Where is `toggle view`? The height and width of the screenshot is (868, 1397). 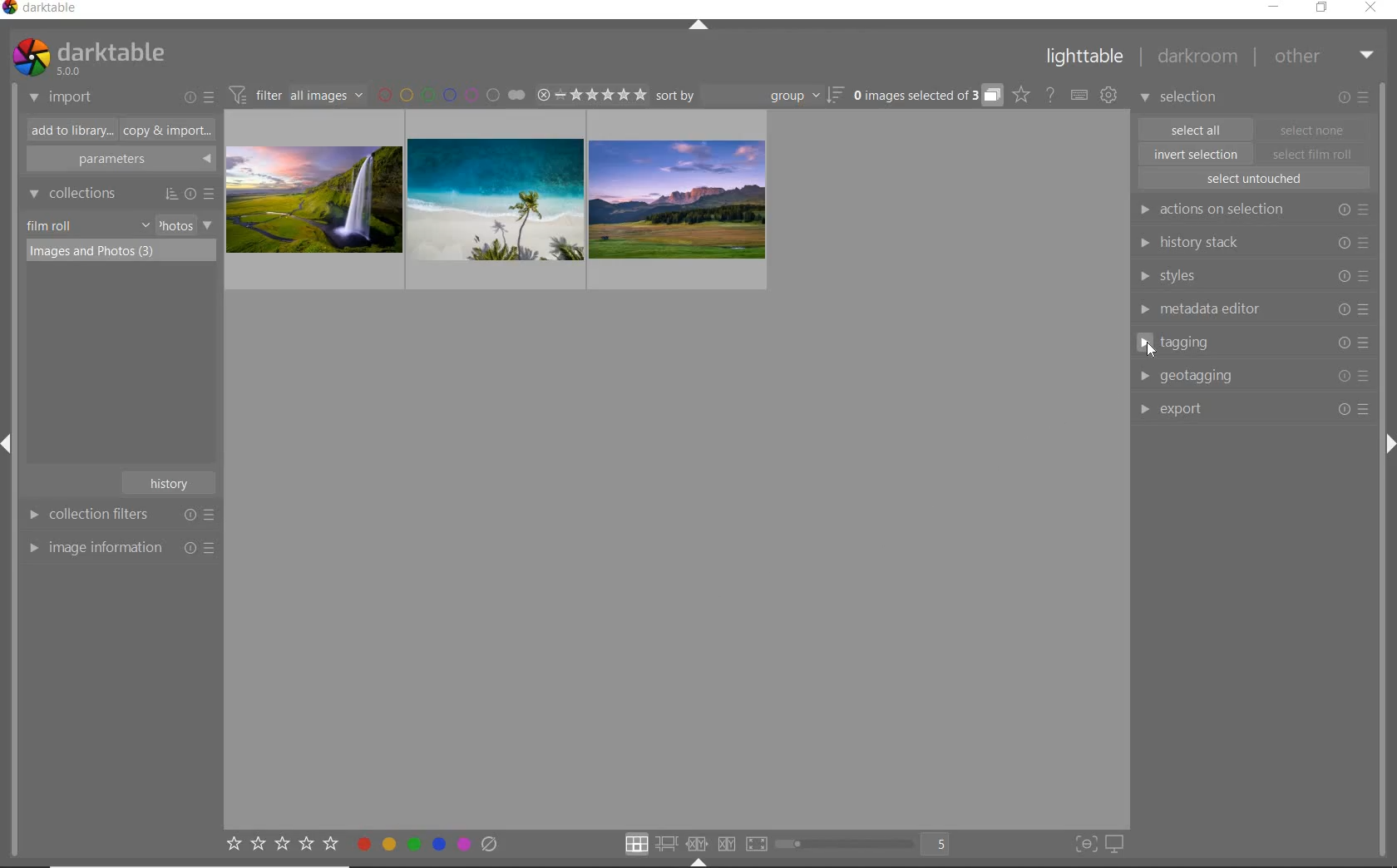
toggle view is located at coordinates (868, 846).